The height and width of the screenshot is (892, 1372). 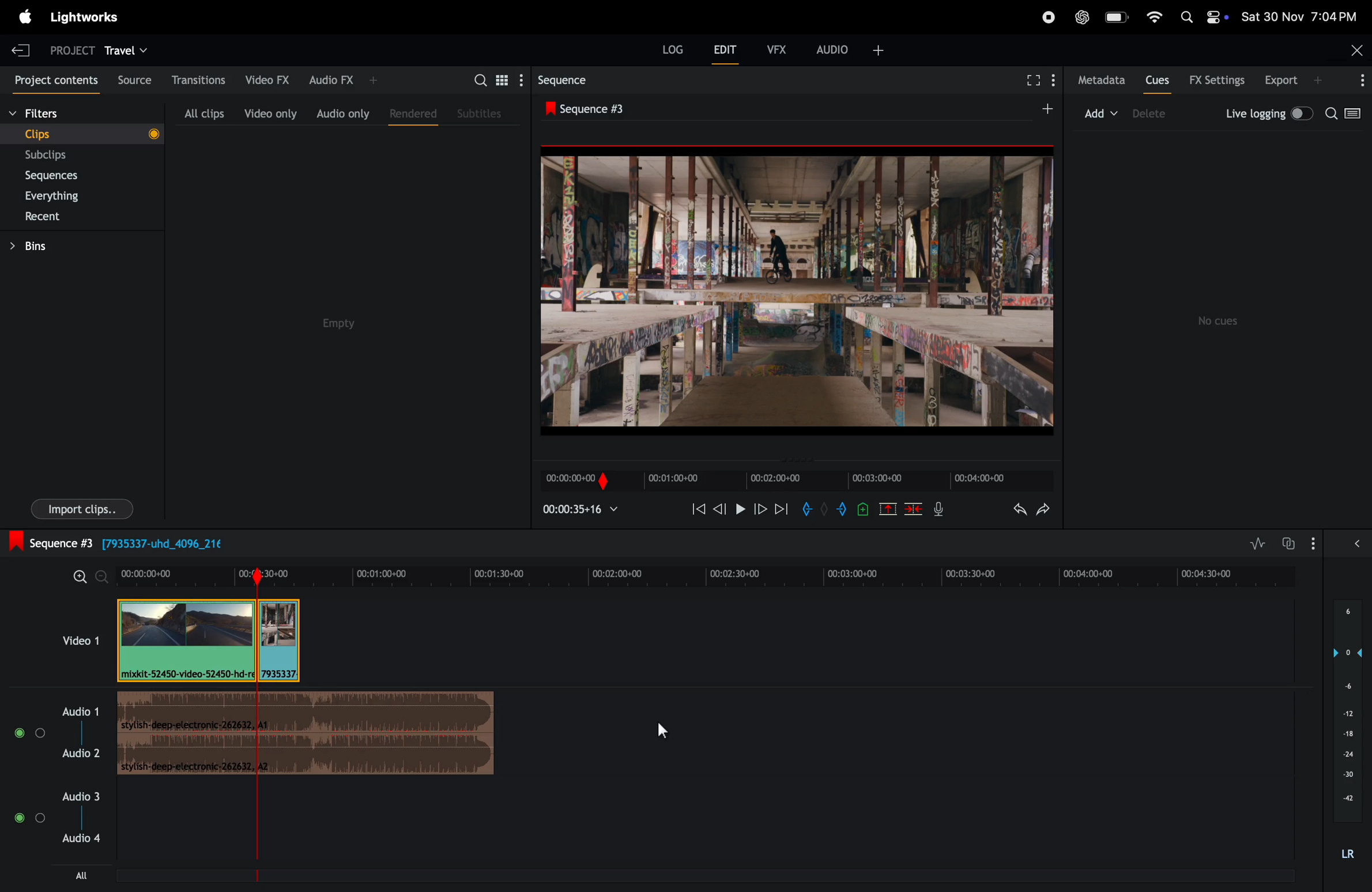 I want to click on source, so click(x=130, y=79).